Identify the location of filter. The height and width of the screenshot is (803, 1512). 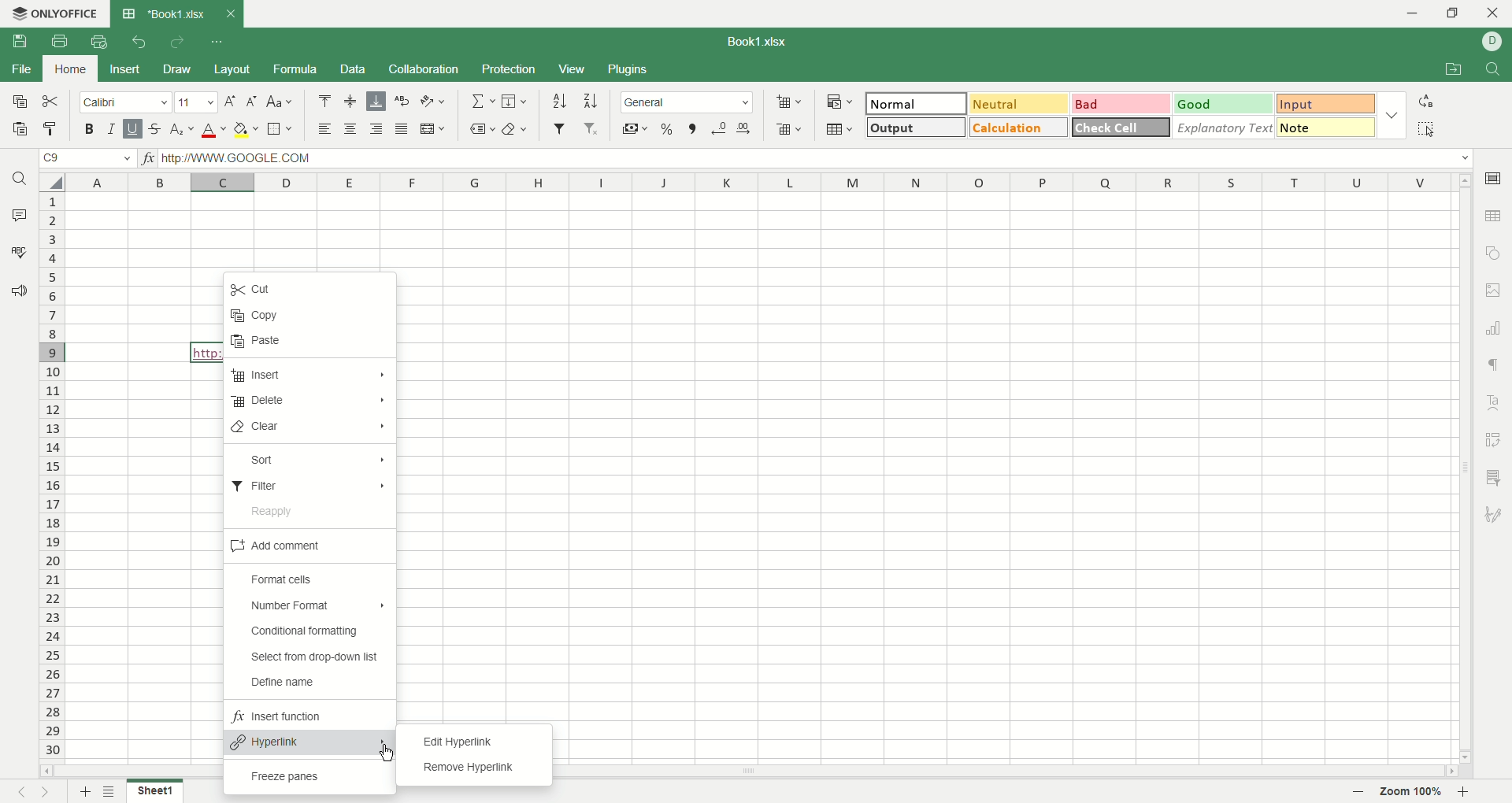
(559, 128).